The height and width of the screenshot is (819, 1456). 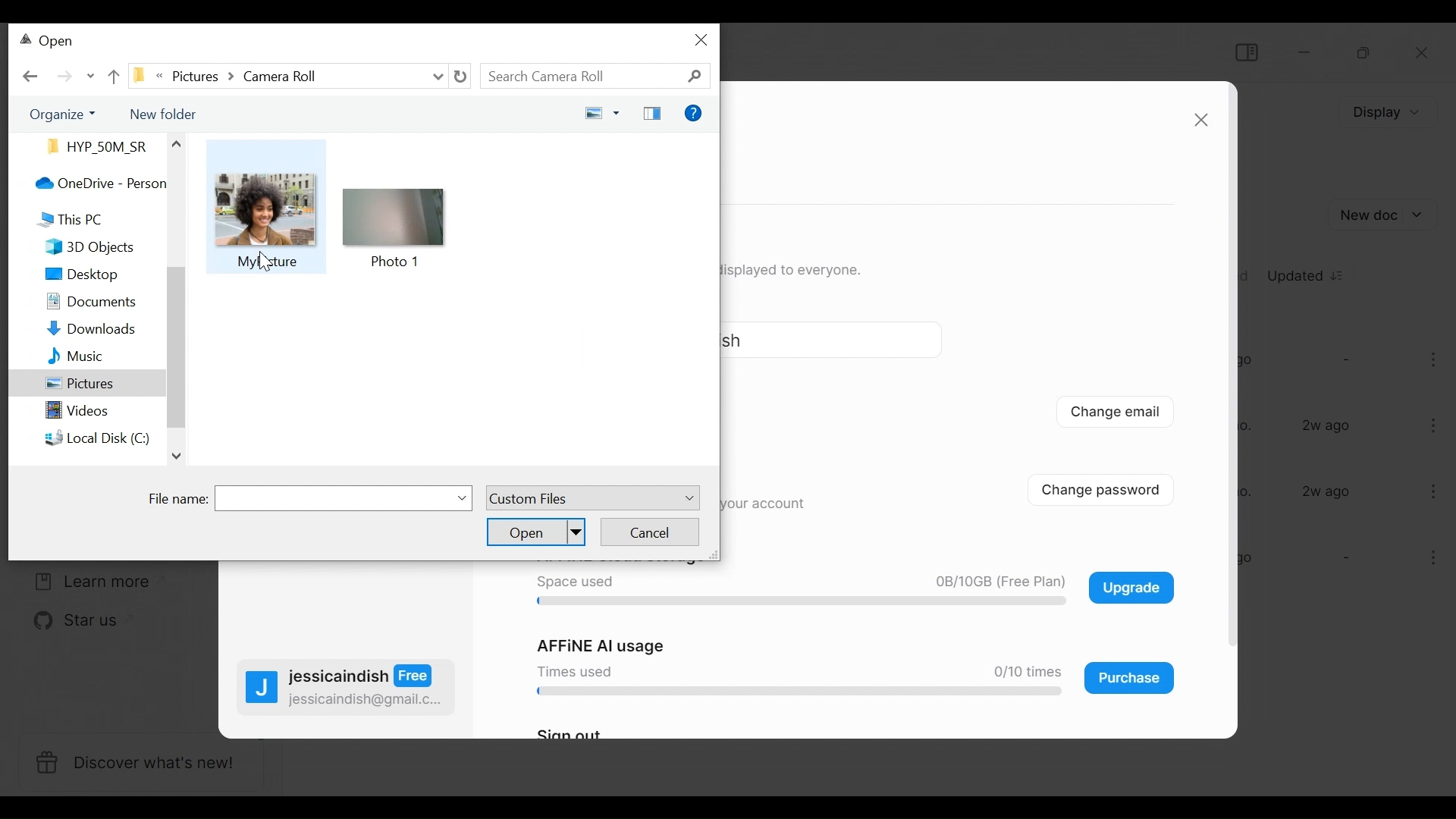 What do you see at coordinates (1131, 587) in the screenshot?
I see `Upgrade` at bounding box center [1131, 587].